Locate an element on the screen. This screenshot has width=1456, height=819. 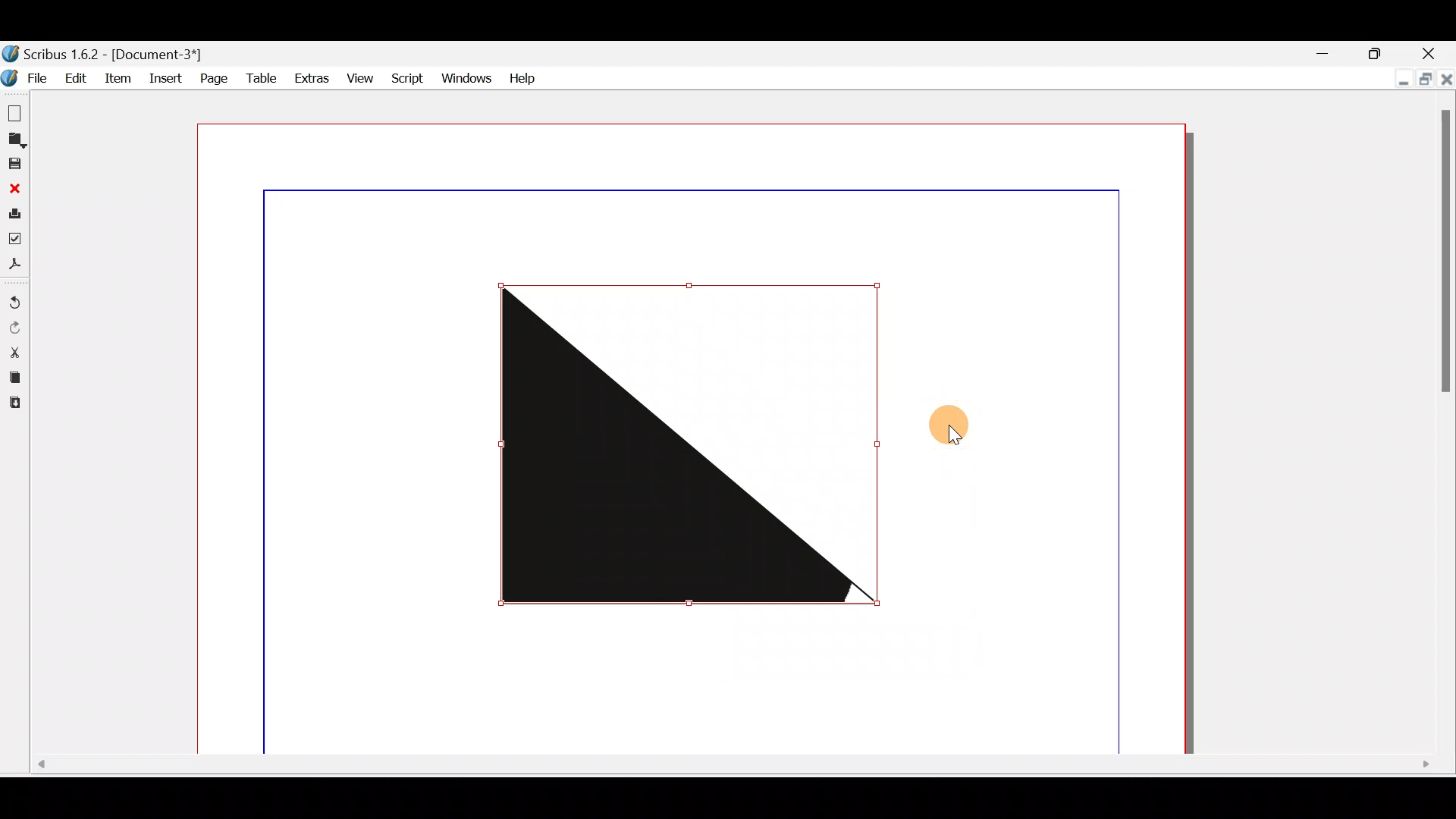
Open is located at coordinates (17, 139).